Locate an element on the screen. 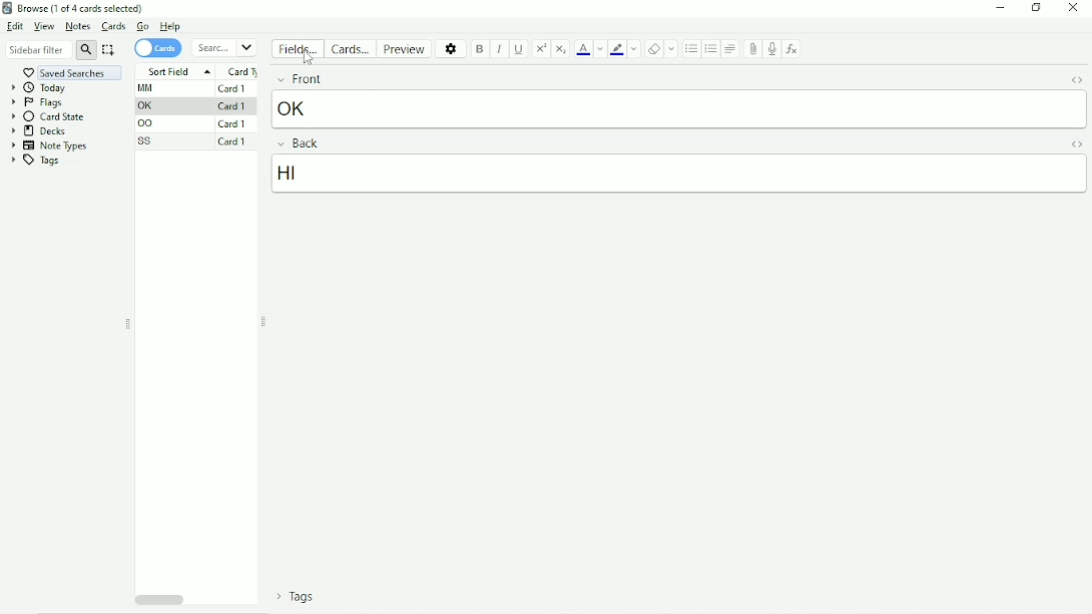 The width and height of the screenshot is (1092, 614). Cards is located at coordinates (112, 26).